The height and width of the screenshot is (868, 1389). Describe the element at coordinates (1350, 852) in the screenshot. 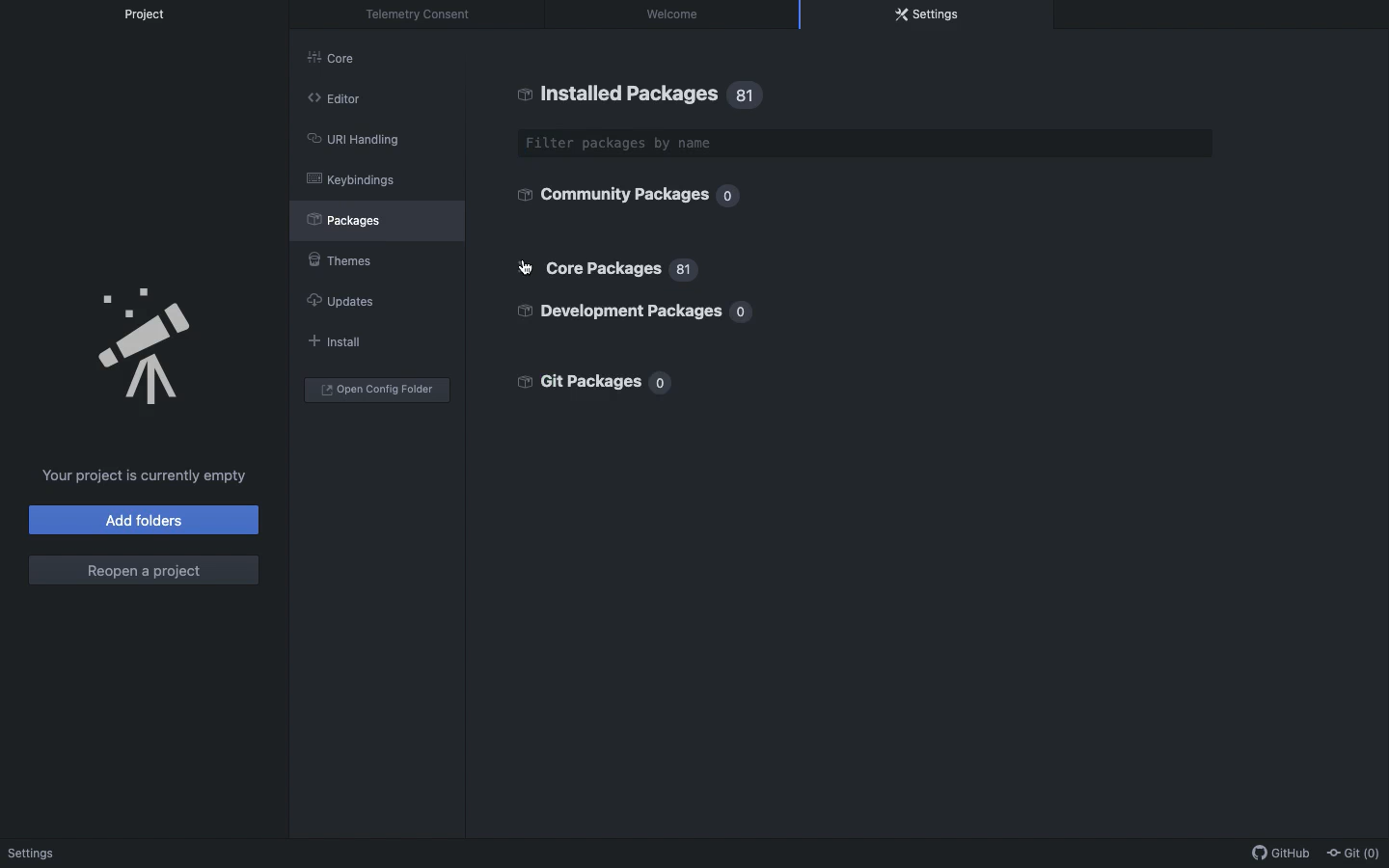

I see `Git(0)` at that location.